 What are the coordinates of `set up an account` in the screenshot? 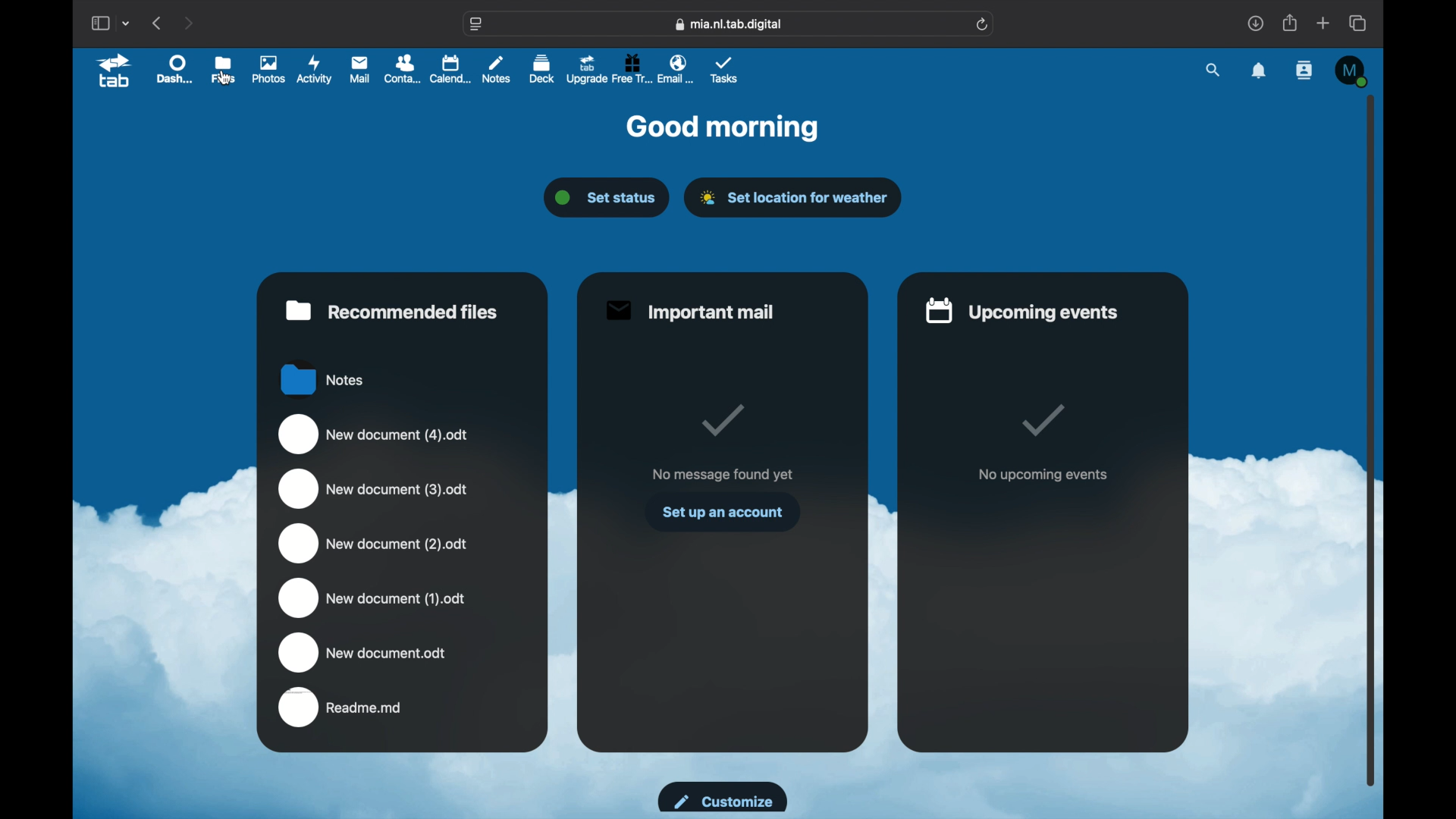 It's located at (723, 513).